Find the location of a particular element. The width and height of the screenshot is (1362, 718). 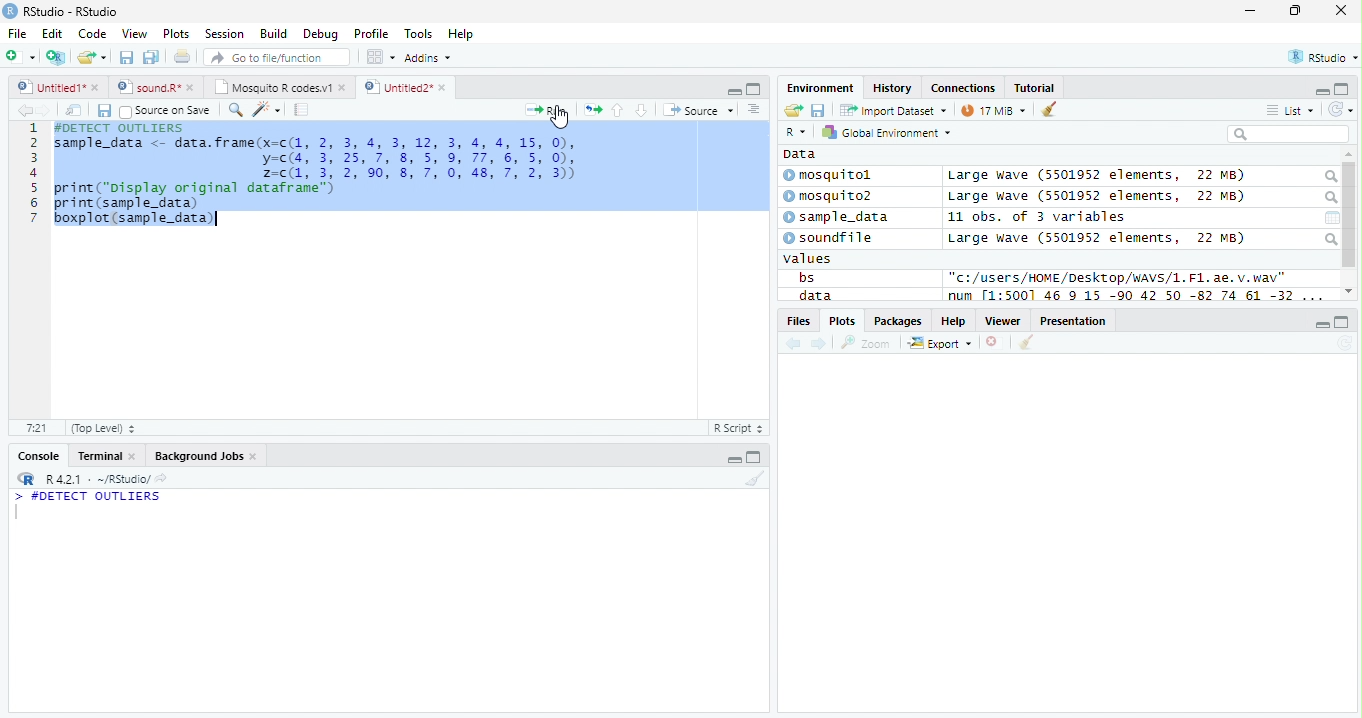

Build is located at coordinates (274, 33).